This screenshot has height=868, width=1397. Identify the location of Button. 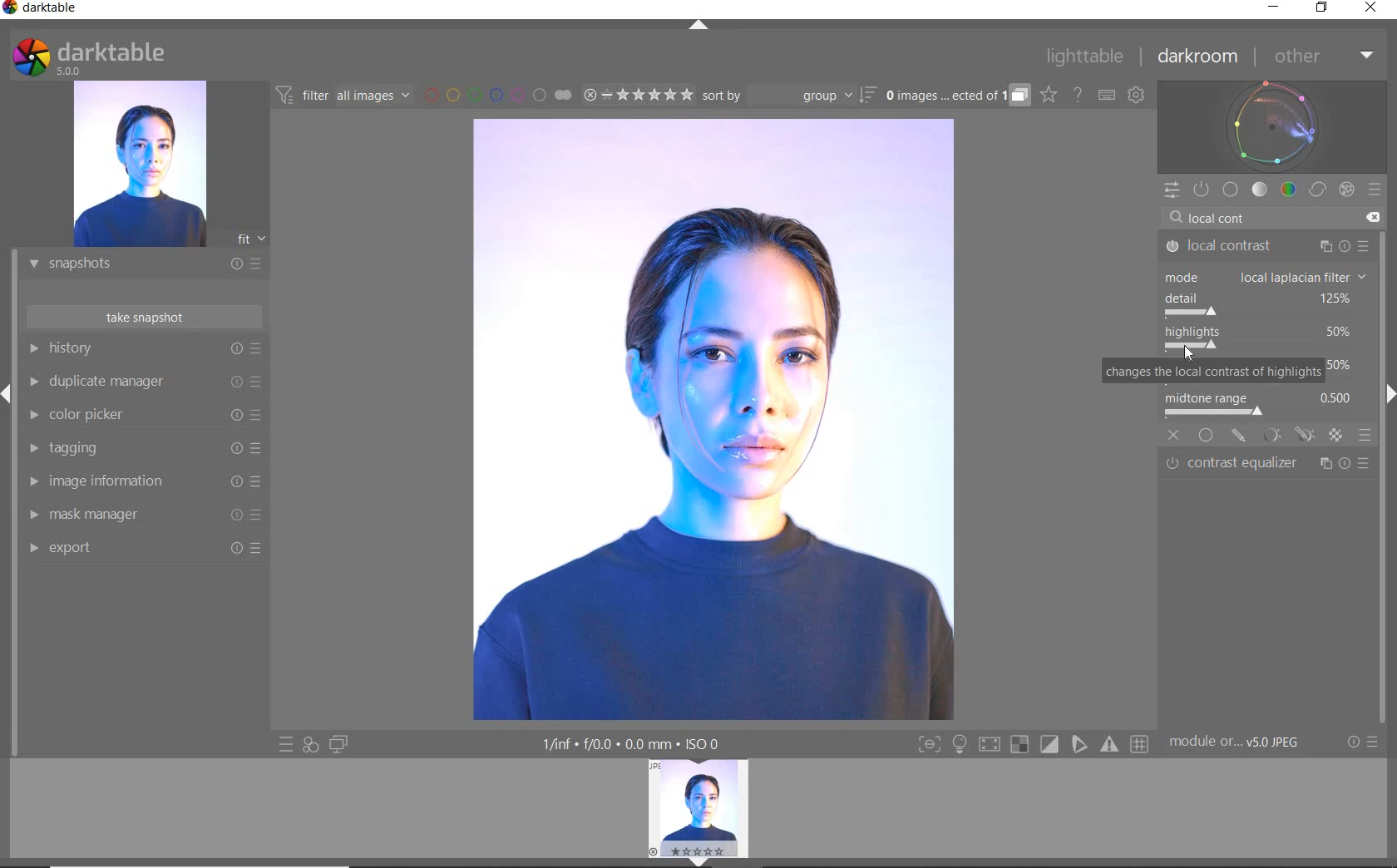
(960, 746).